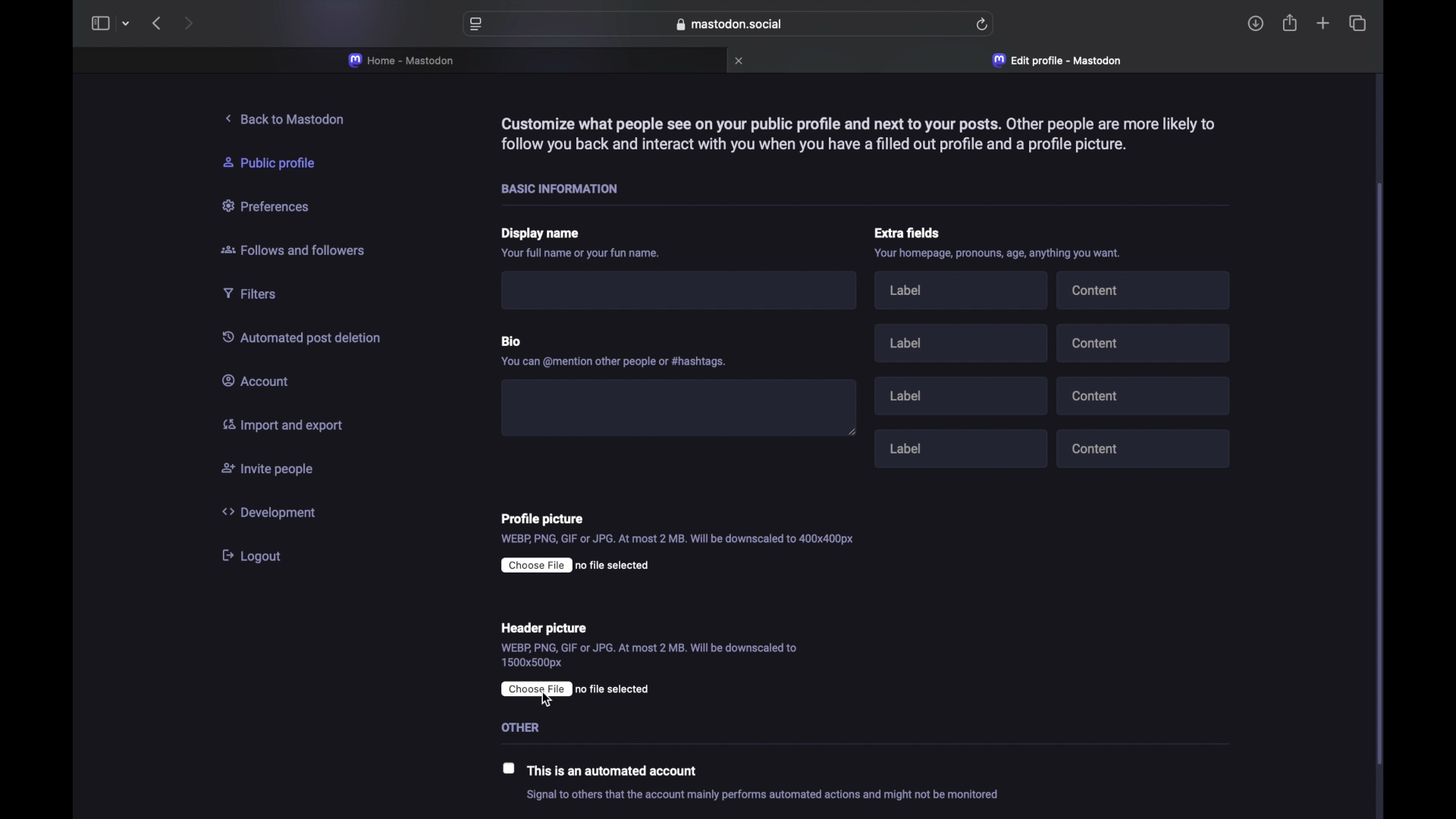  What do you see at coordinates (188, 23) in the screenshot?
I see `next` at bounding box center [188, 23].